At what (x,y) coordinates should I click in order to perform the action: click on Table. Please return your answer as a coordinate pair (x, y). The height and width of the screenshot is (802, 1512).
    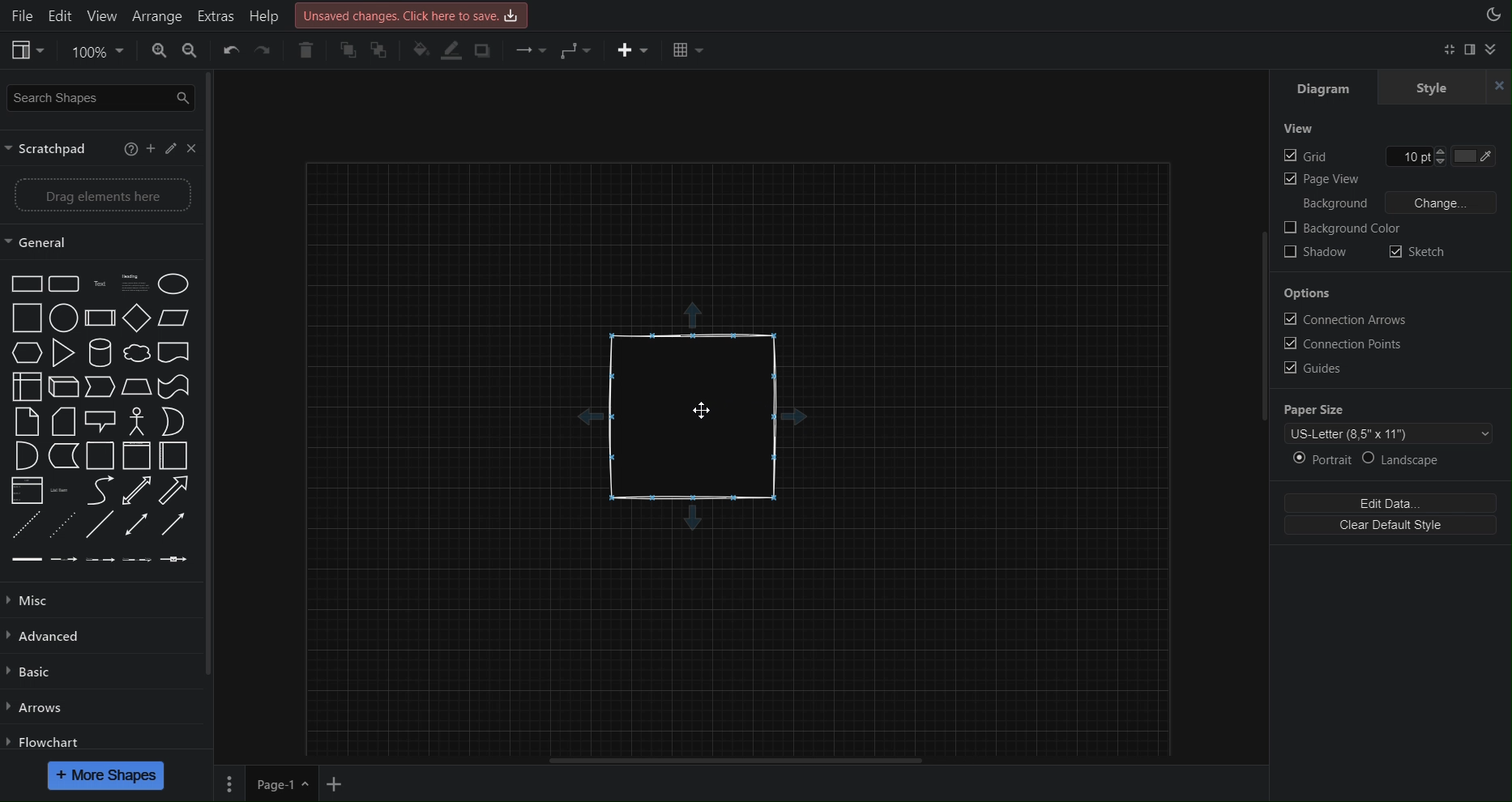
    Looking at the image, I should click on (686, 50).